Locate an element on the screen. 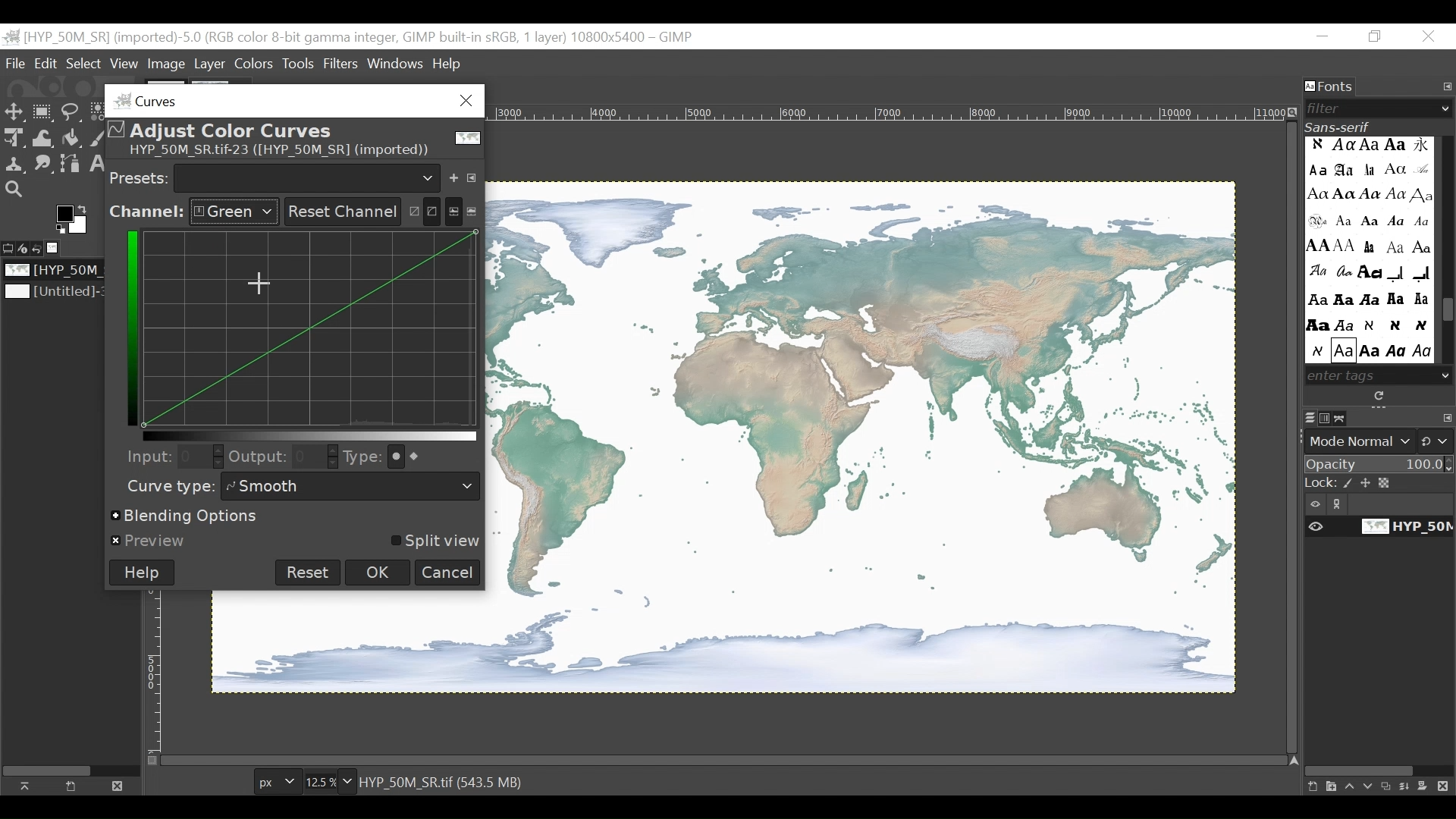  Create a new display is located at coordinates (71, 786).